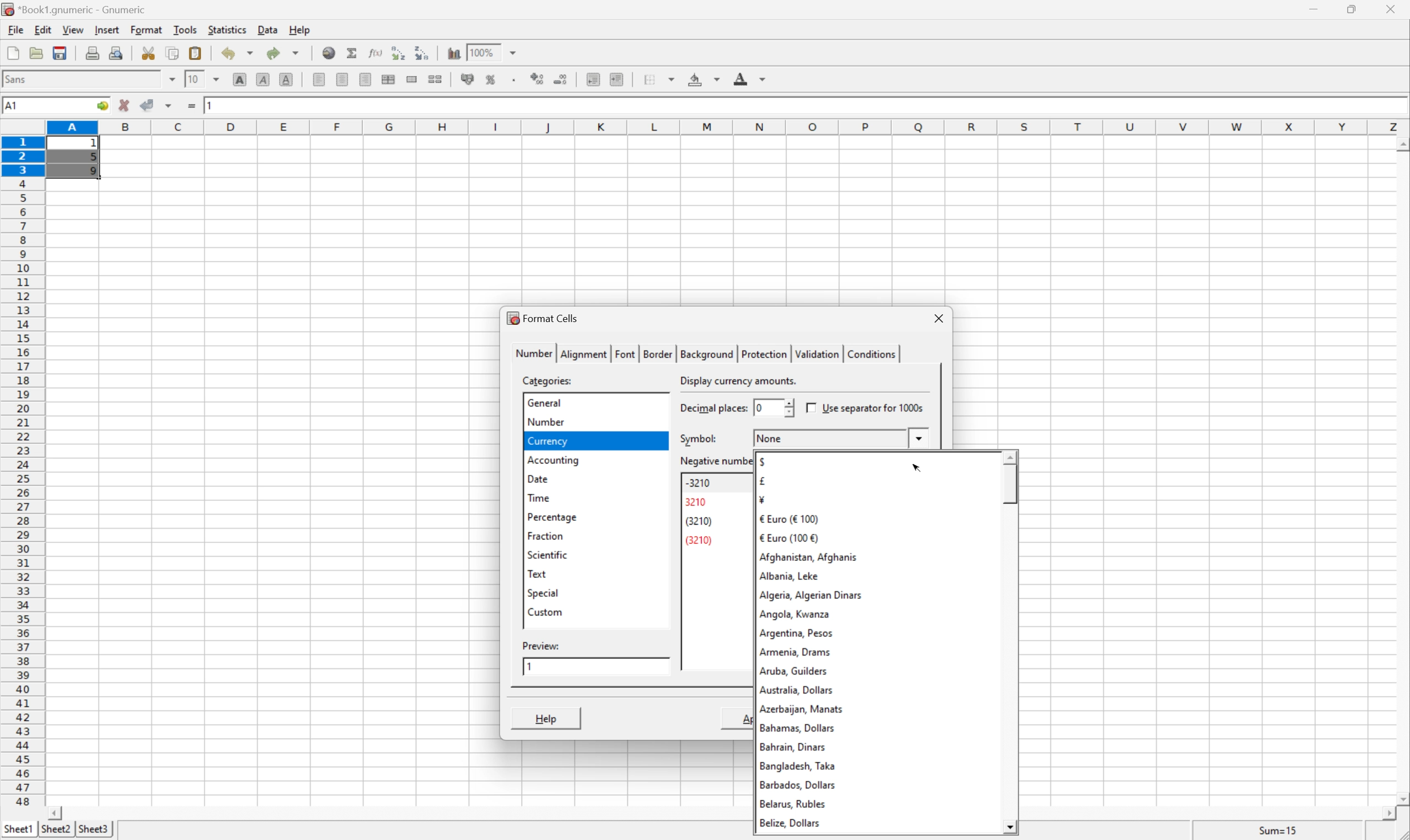 The image size is (1410, 840). I want to click on data, so click(269, 27).